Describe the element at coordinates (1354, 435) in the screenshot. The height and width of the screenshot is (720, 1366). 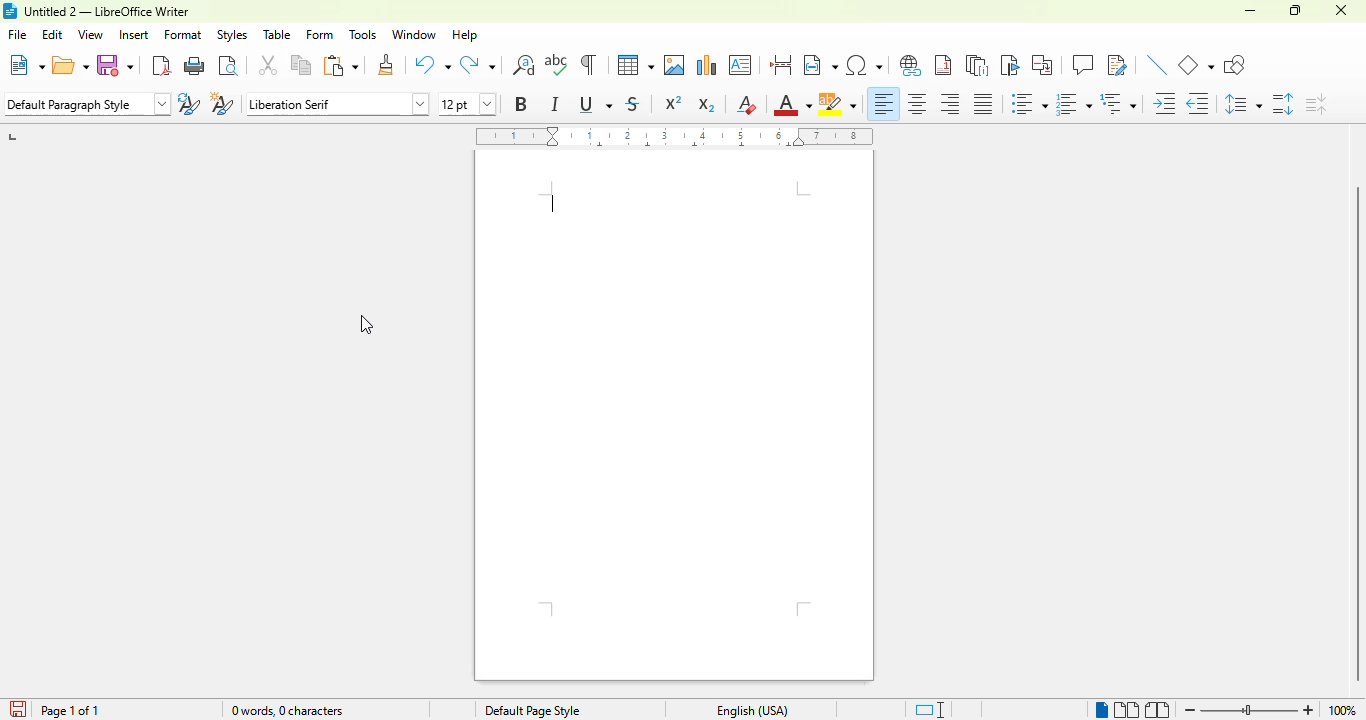
I see `vertical scroll bar` at that location.